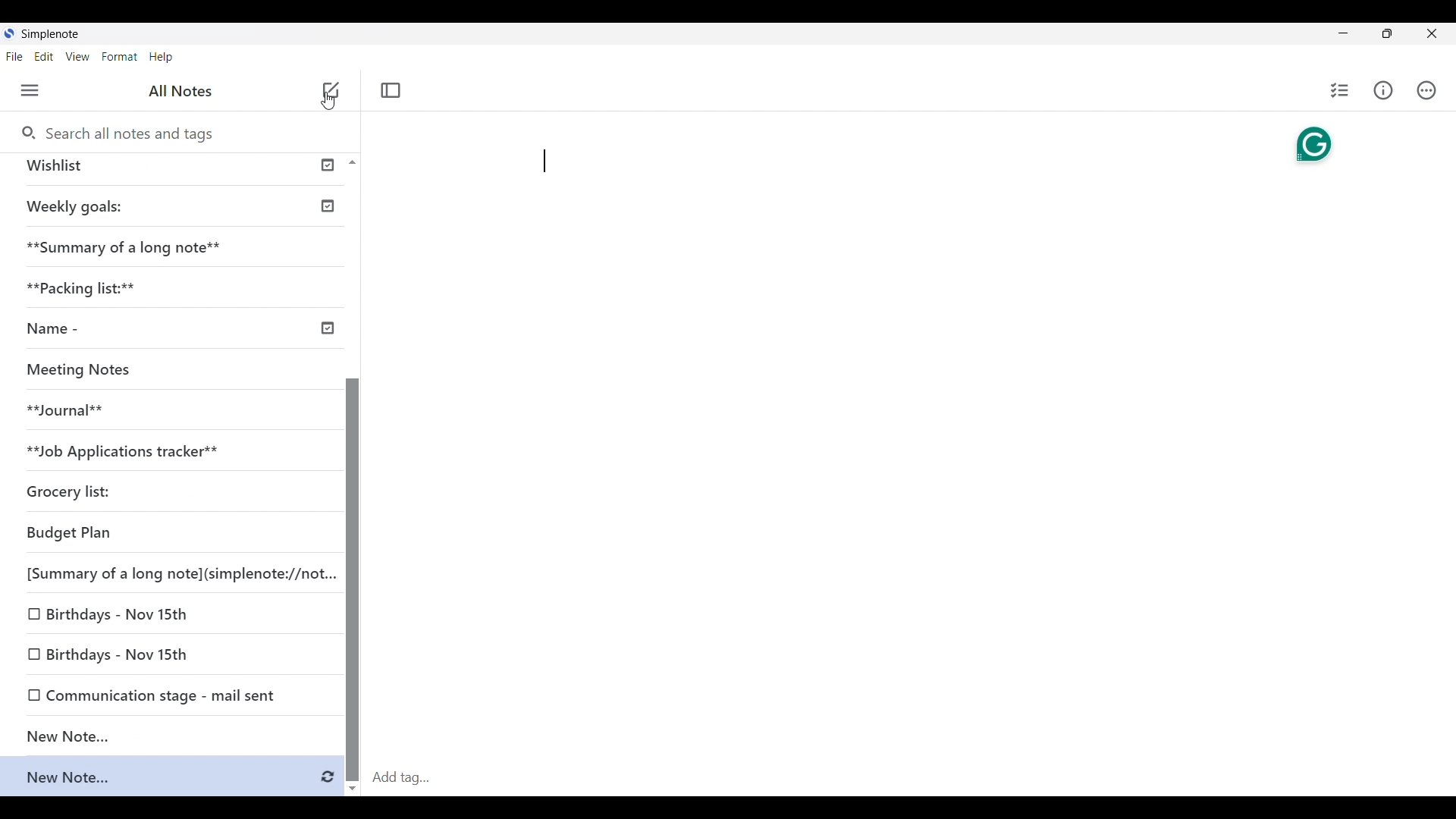  I want to click on Typing in text, so click(544, 162).